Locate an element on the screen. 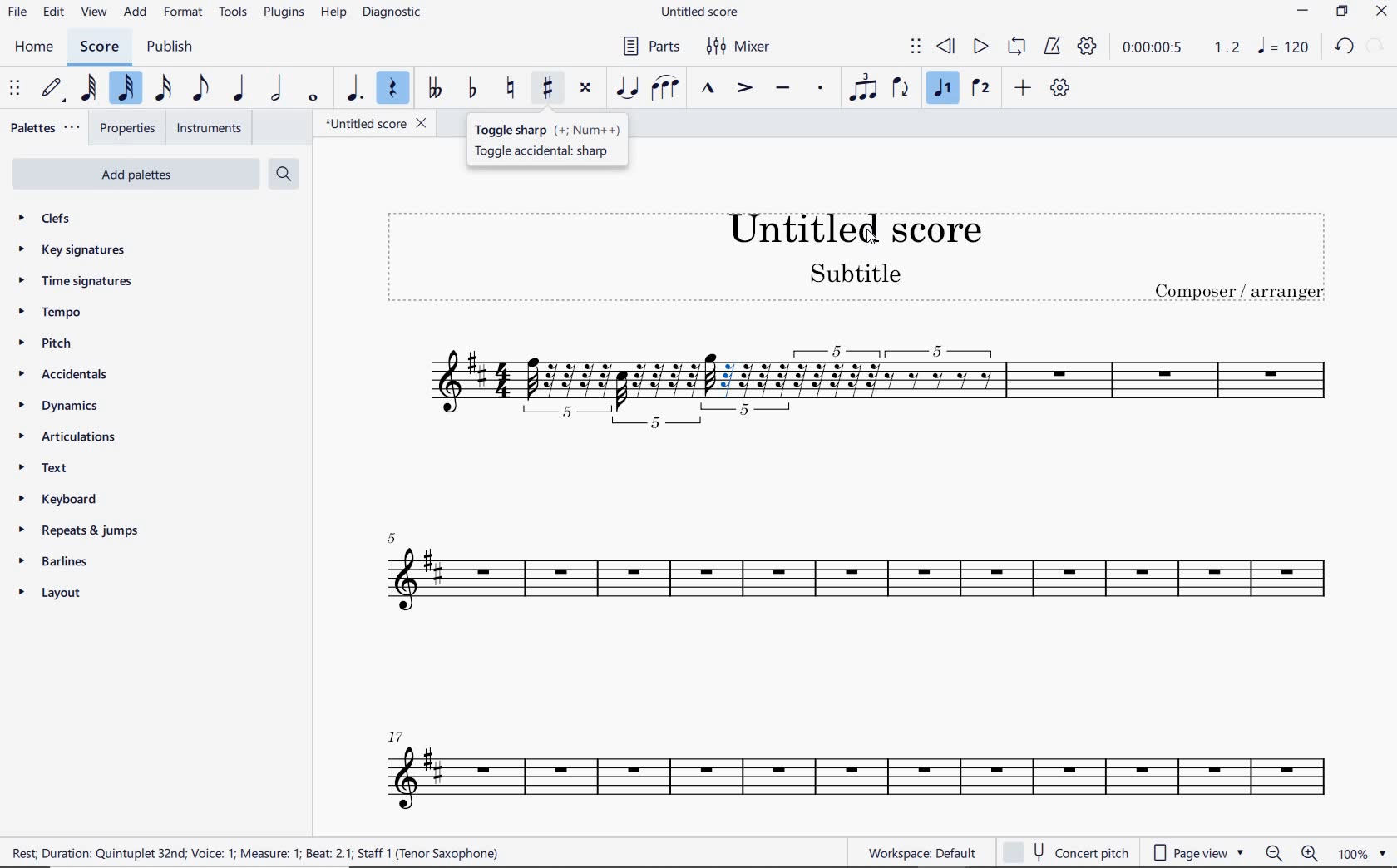  quintuplet added is located at coordinates (872, 392).